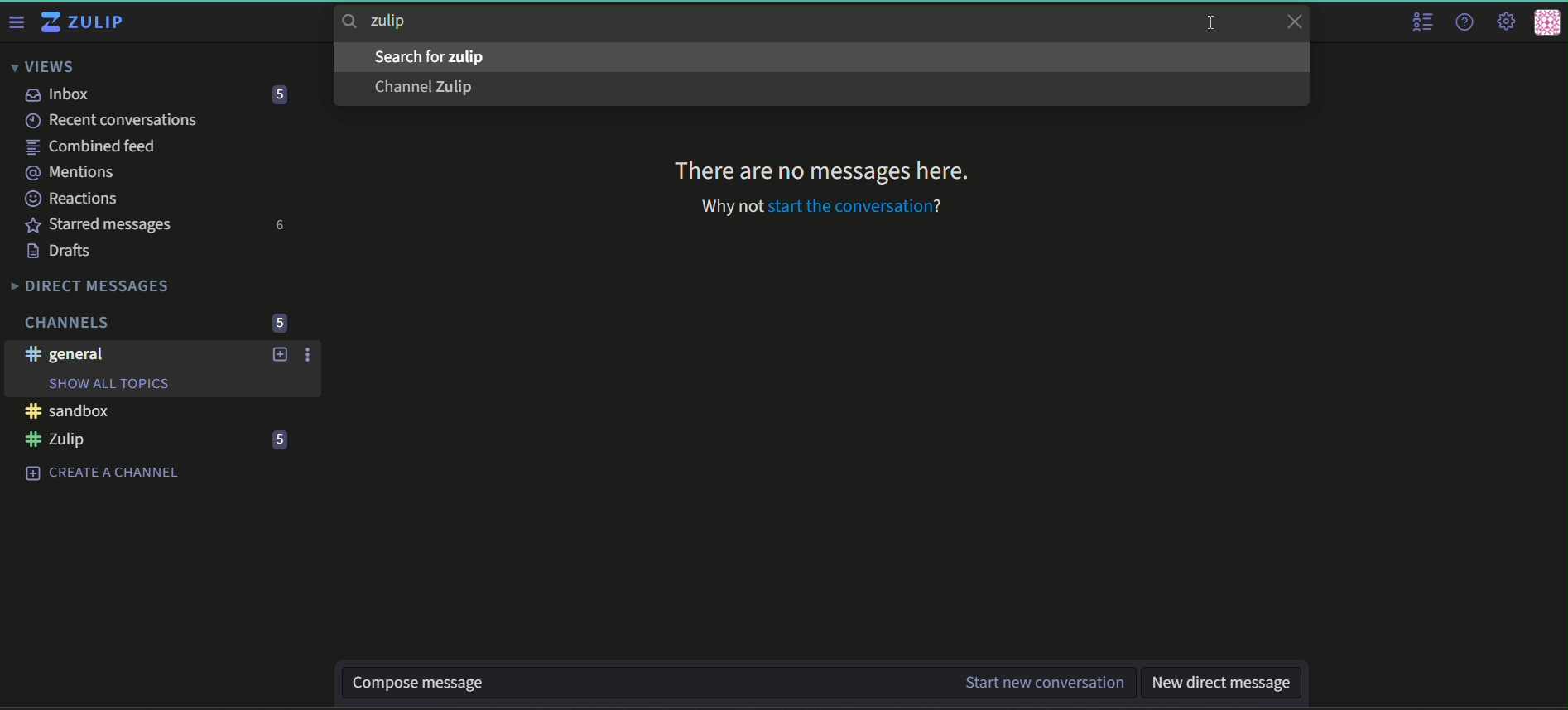 The width and height of the screenshot is (1568, 710). I want to click on recent conversations, so click(111, 119).